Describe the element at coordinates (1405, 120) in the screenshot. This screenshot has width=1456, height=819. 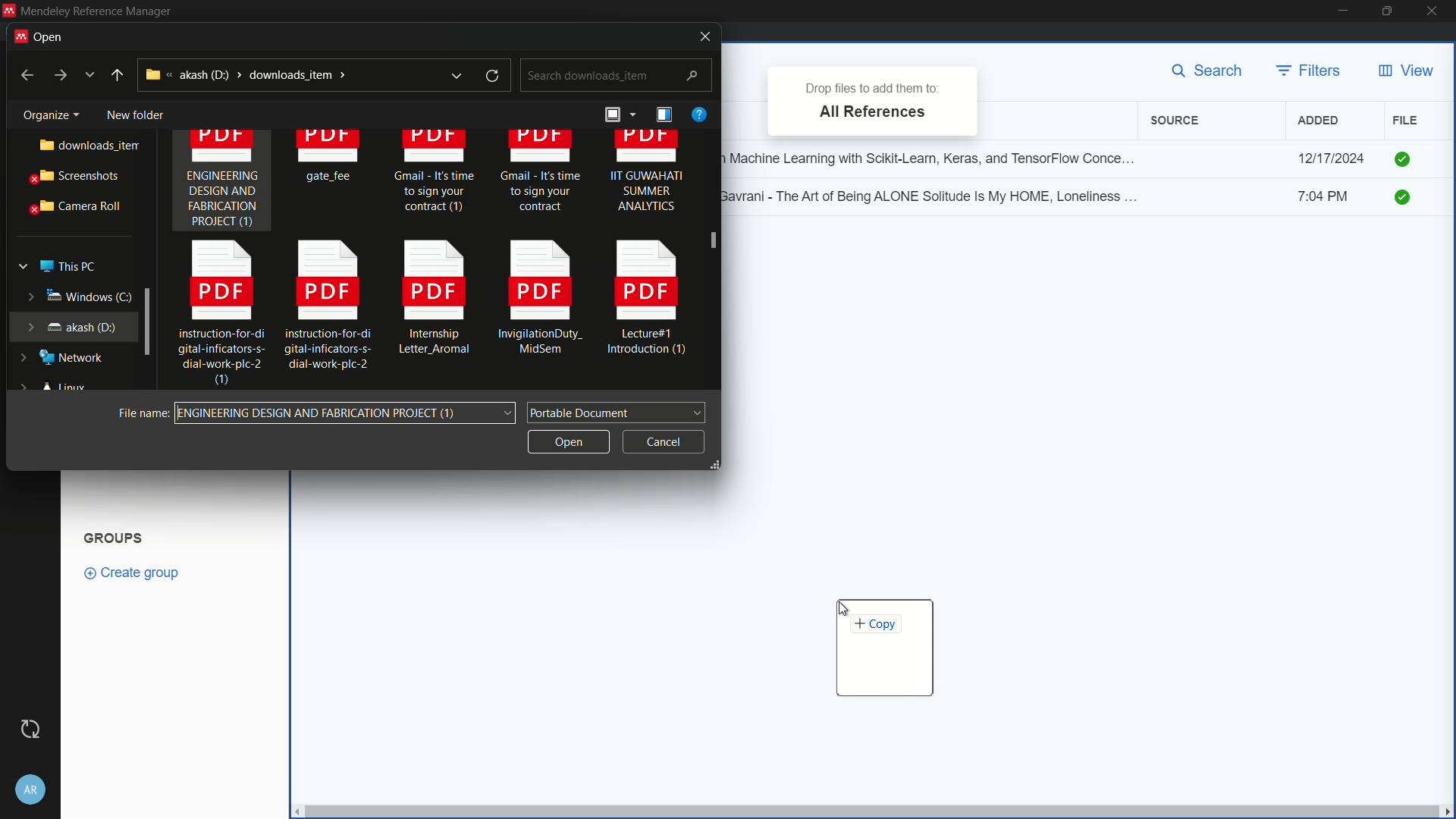
I see `file` at that location.